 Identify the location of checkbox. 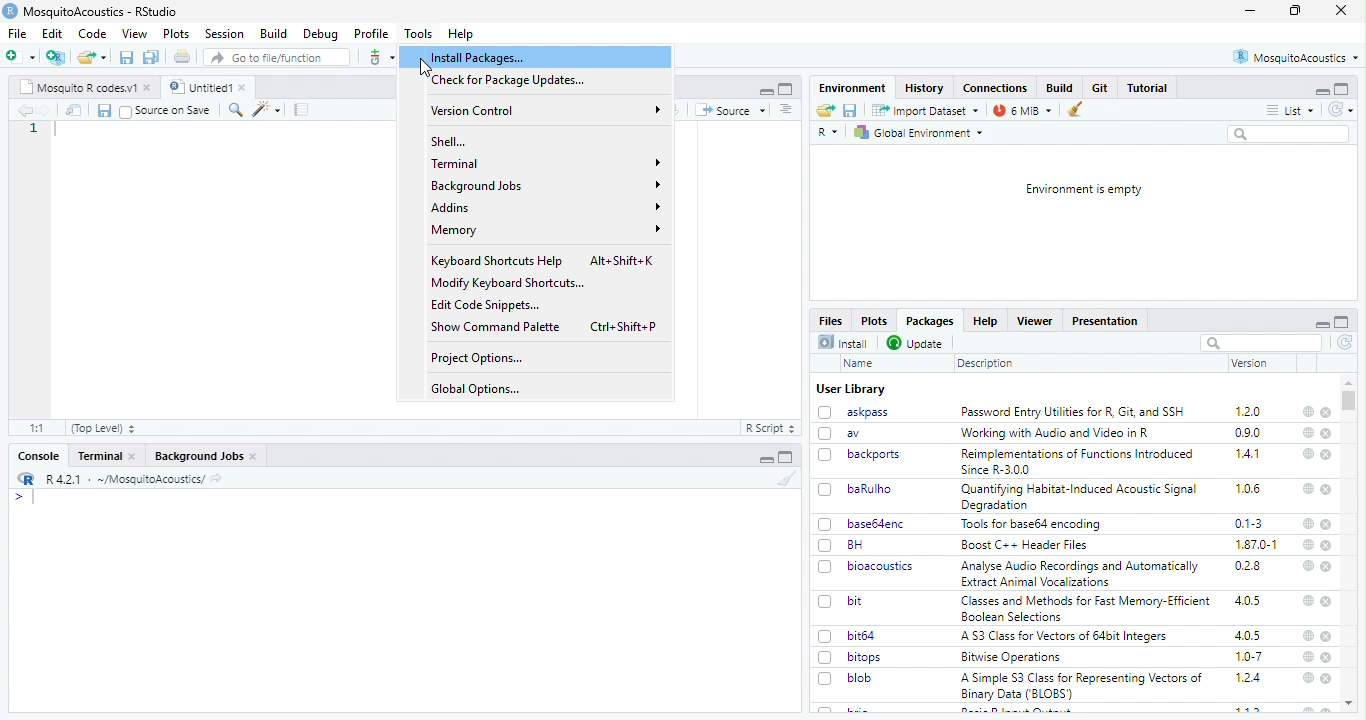
(826, 603).